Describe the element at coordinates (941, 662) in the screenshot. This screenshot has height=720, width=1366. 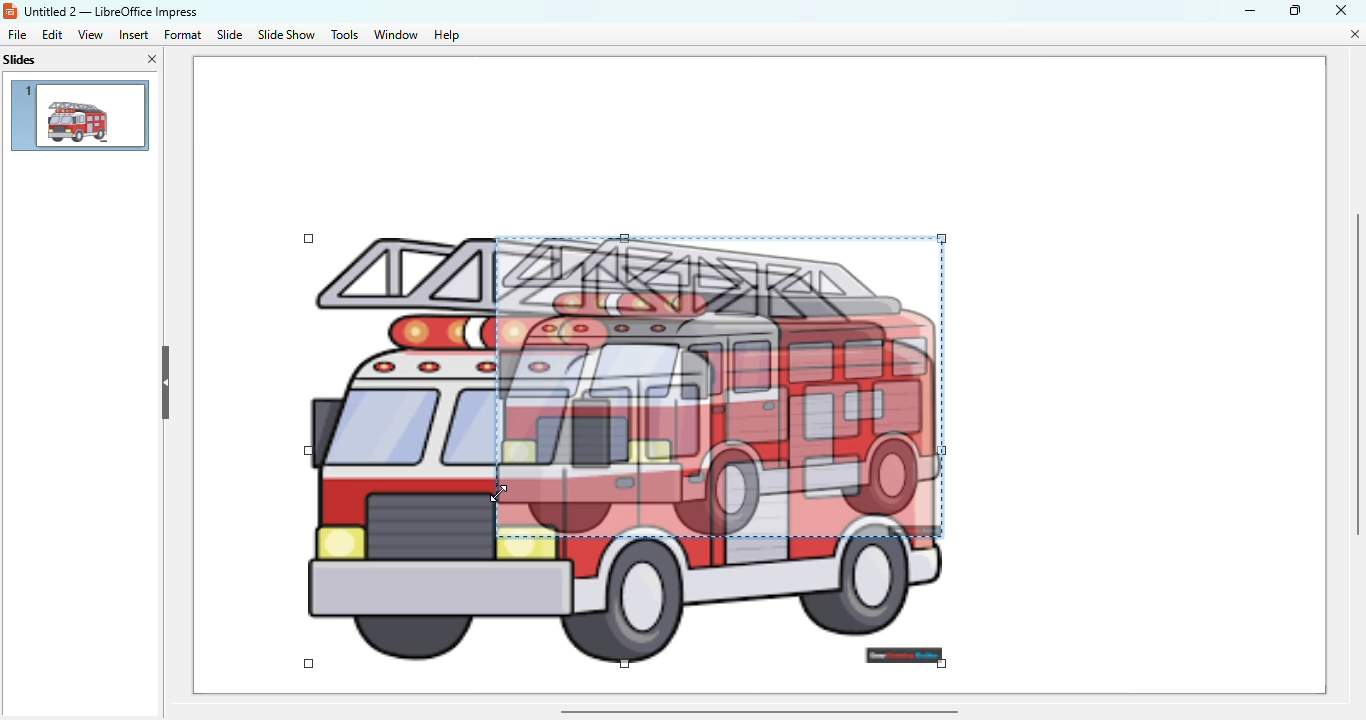
I see `corner handles` at that location.